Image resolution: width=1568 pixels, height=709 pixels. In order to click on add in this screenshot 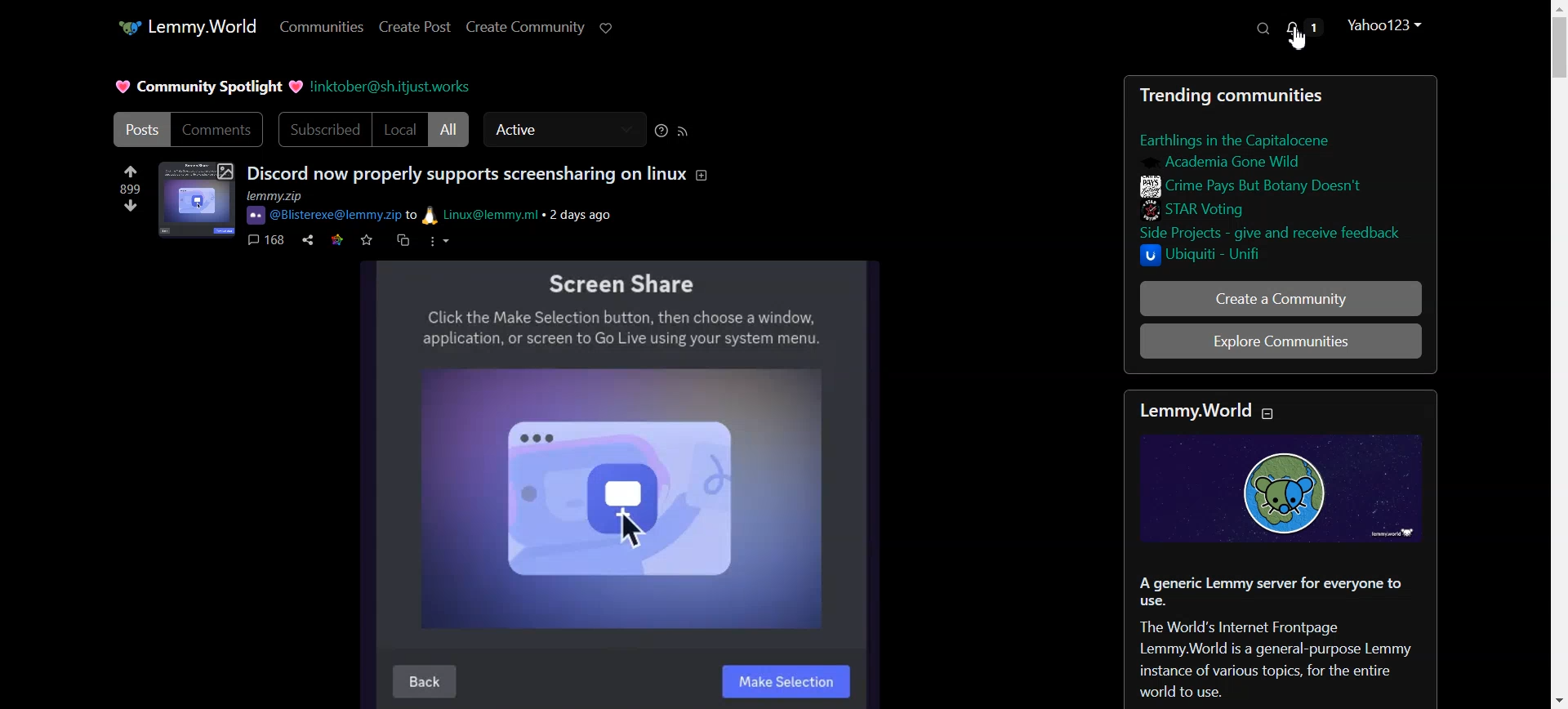, I will do `click(709, 176)`.